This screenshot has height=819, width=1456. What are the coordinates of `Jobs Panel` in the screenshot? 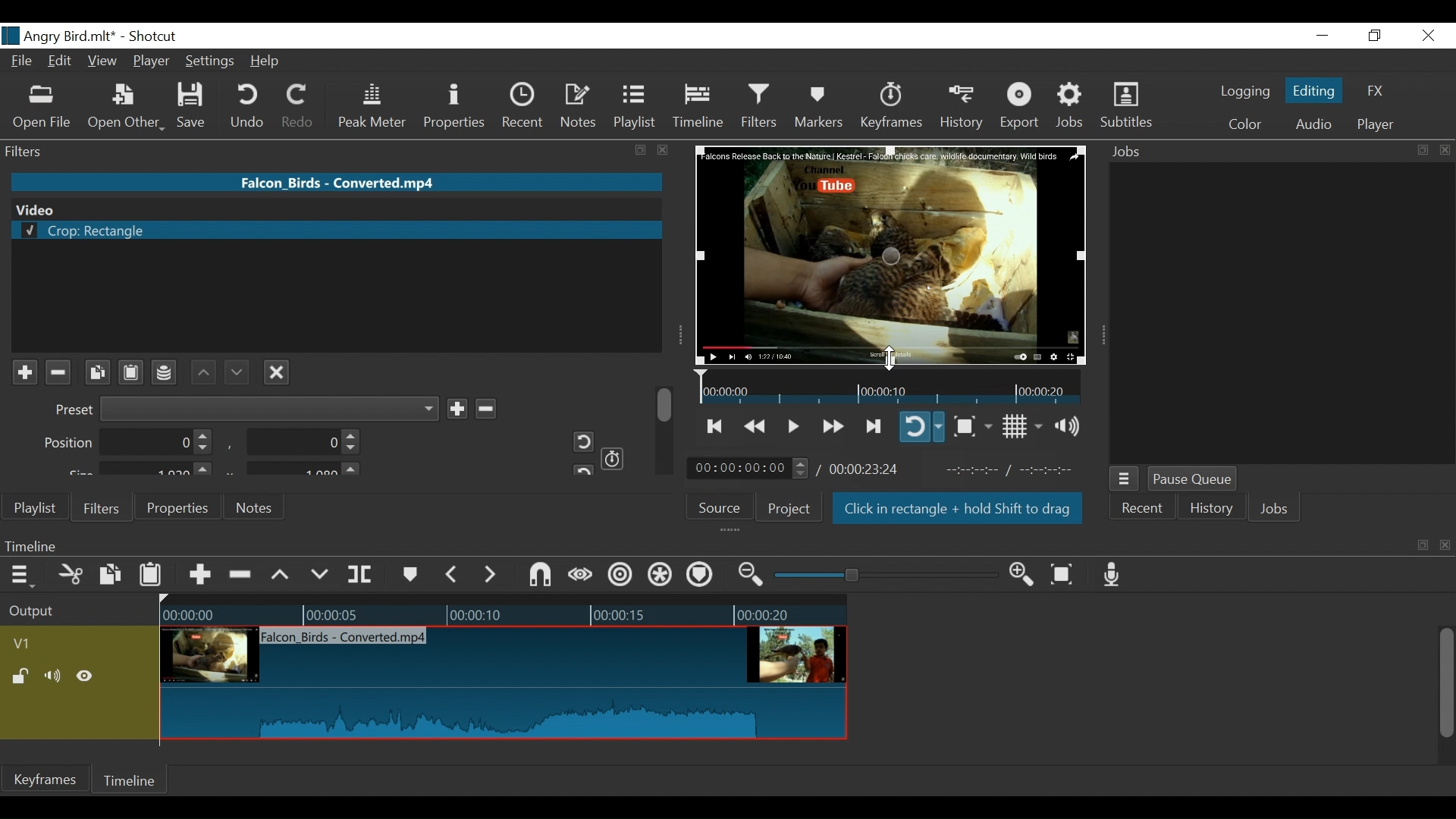 It's located at (1282, 312).